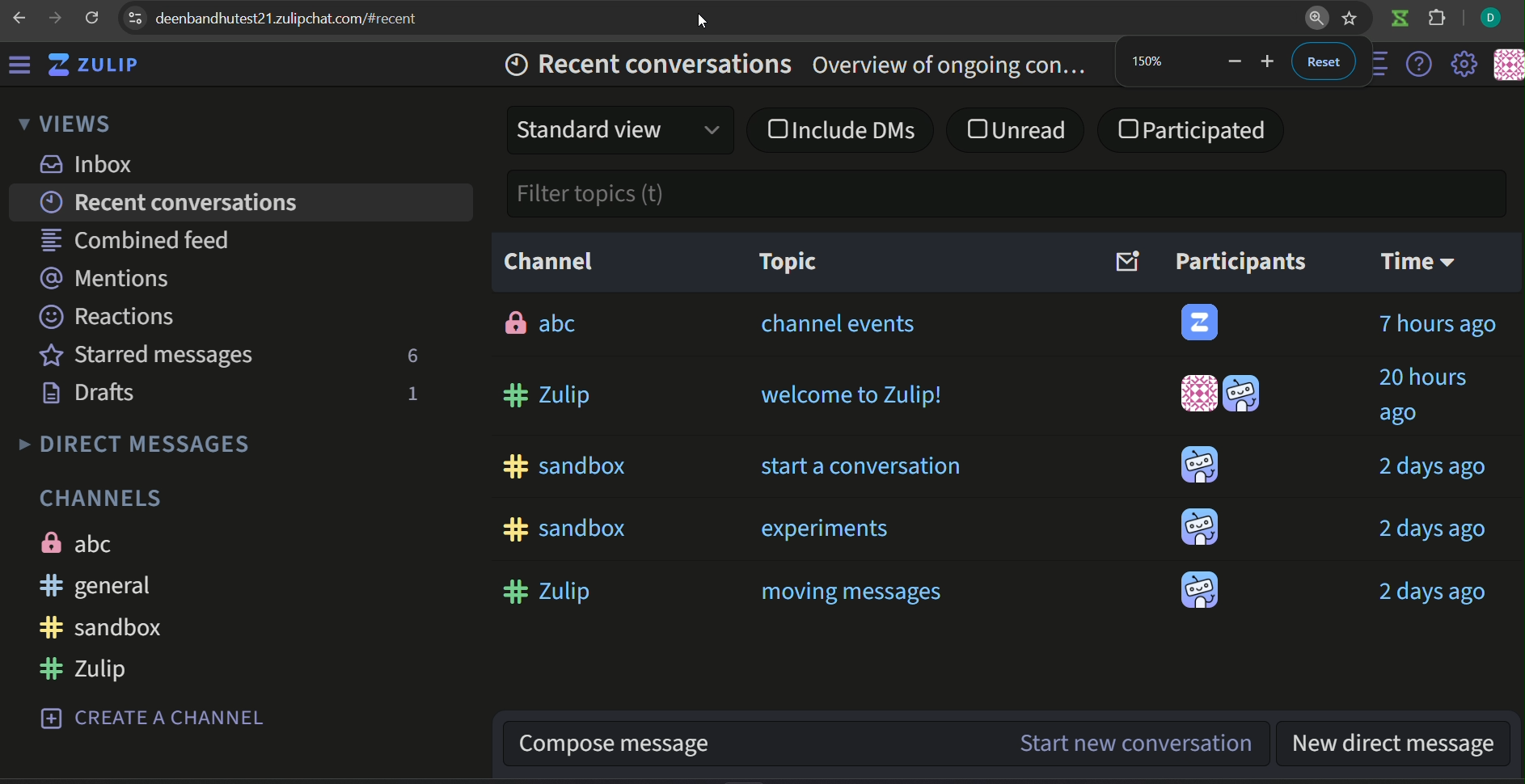 Image resolution: width=1525 pixels, height=784 pixels. Describe the element at coordinates (84, 164) in the screenshot. I see `inbox` at that location.